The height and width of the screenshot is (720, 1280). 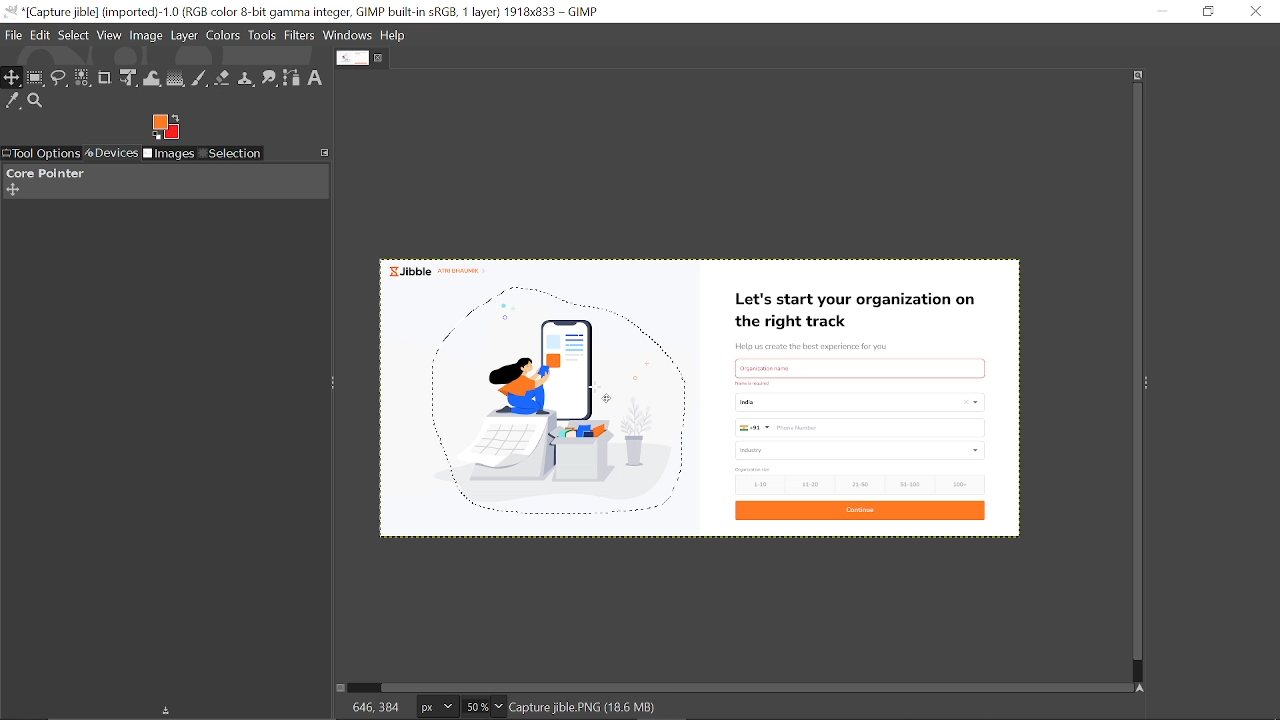 I want to click on Rectangular select tool, so click(x=36, y=79).